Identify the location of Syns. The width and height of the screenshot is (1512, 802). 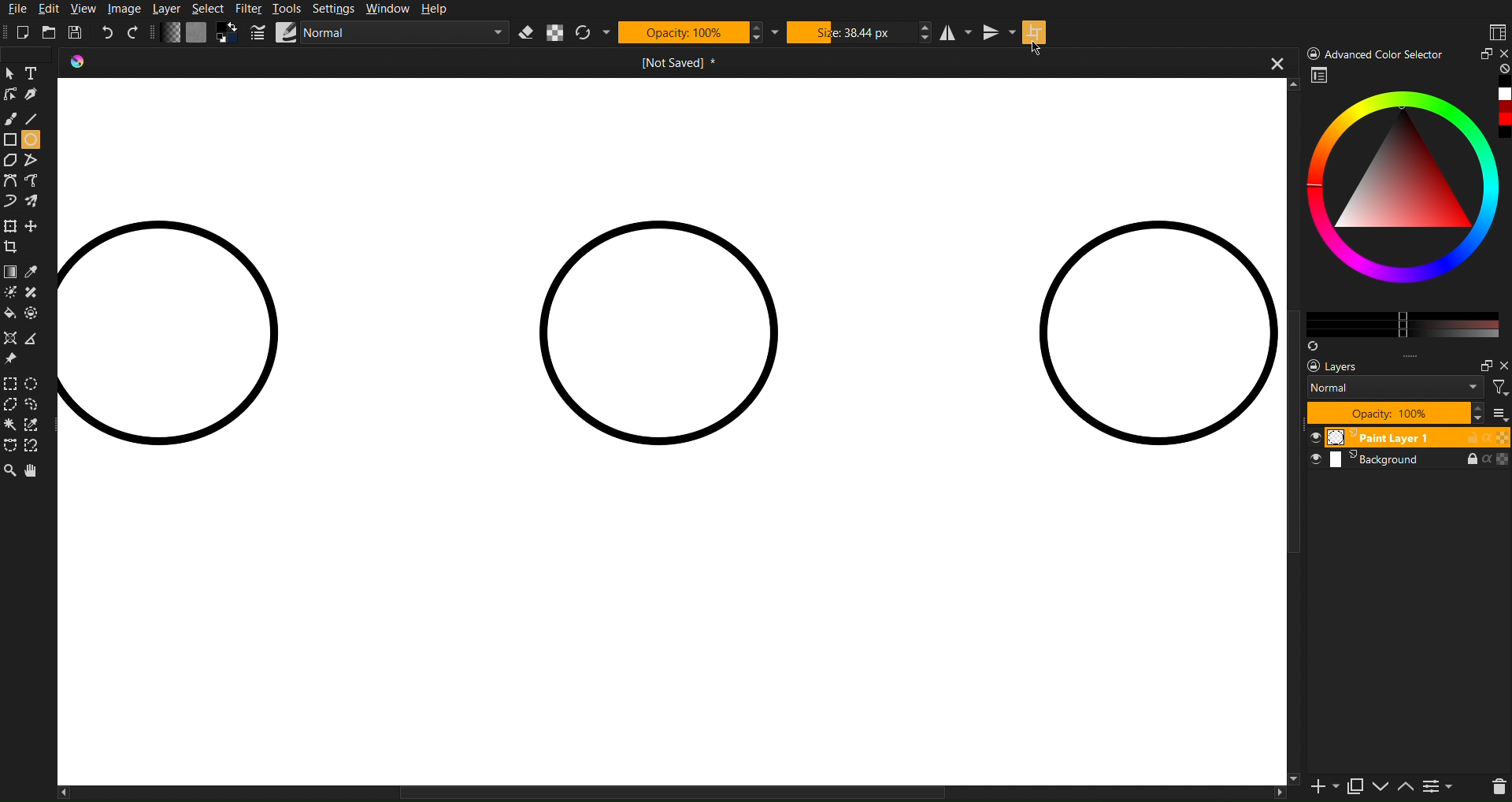
(1314, 345).